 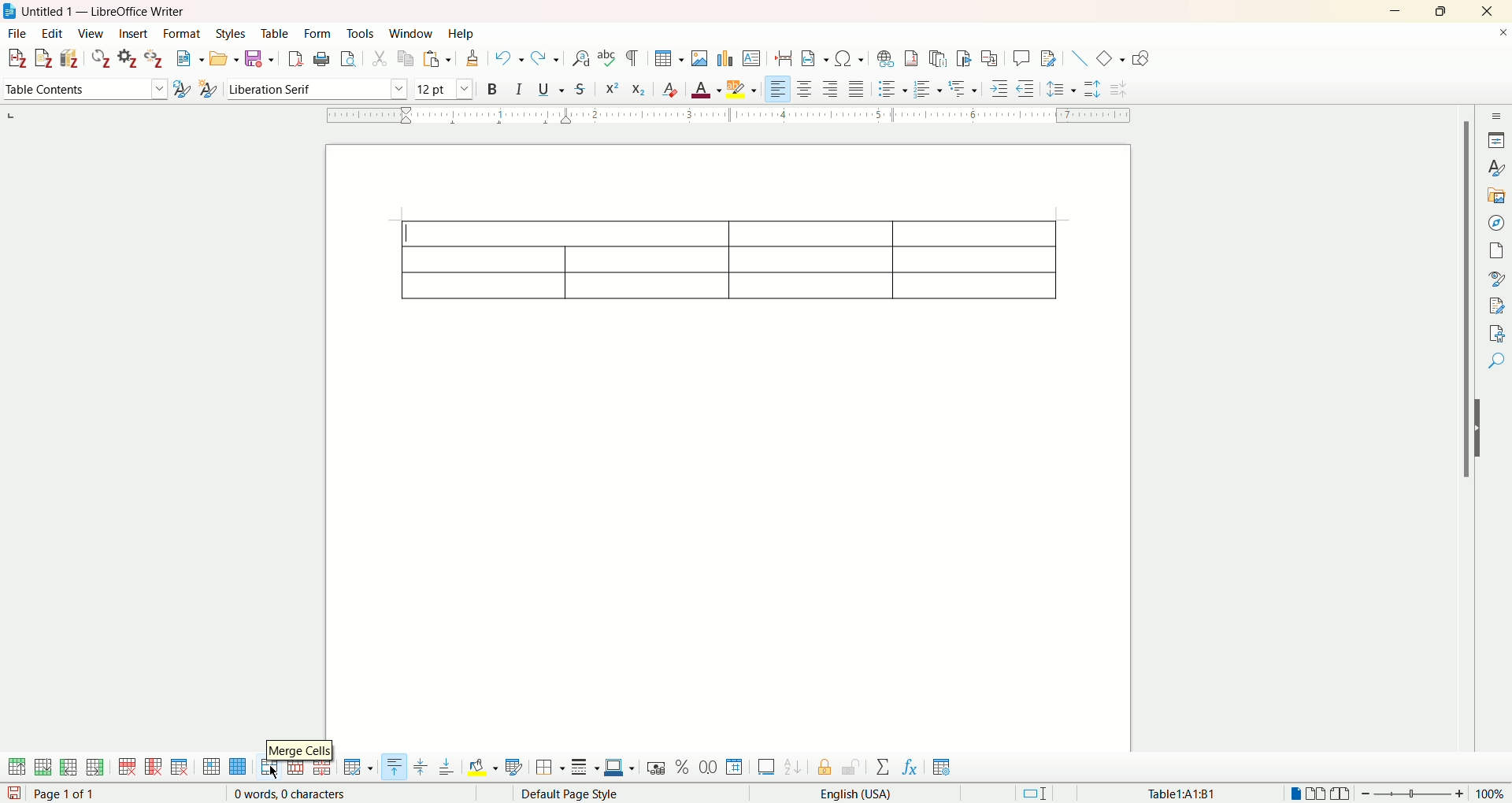 What do you see at coordinates (804, 89) in the screenshot?
I see `align center` at bounding box center [804, 89].